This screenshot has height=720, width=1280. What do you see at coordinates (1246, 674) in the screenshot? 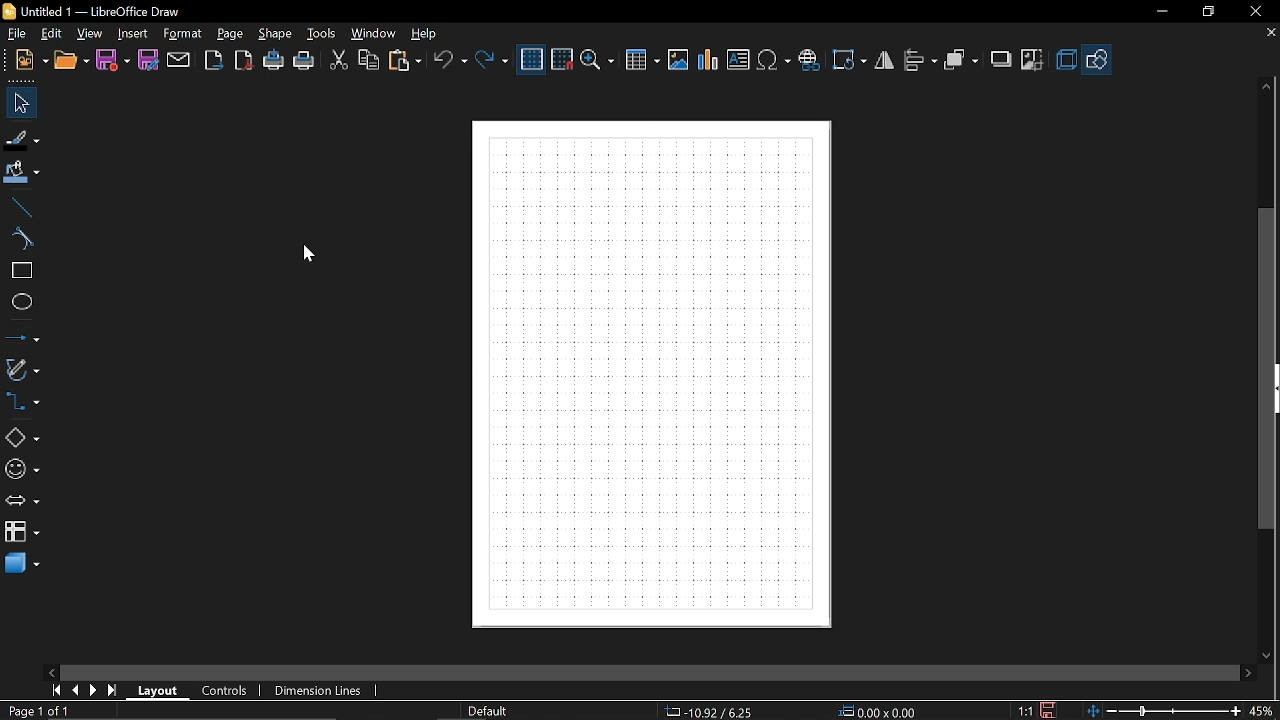
I see `move right` at bounding box center [1246, 674].